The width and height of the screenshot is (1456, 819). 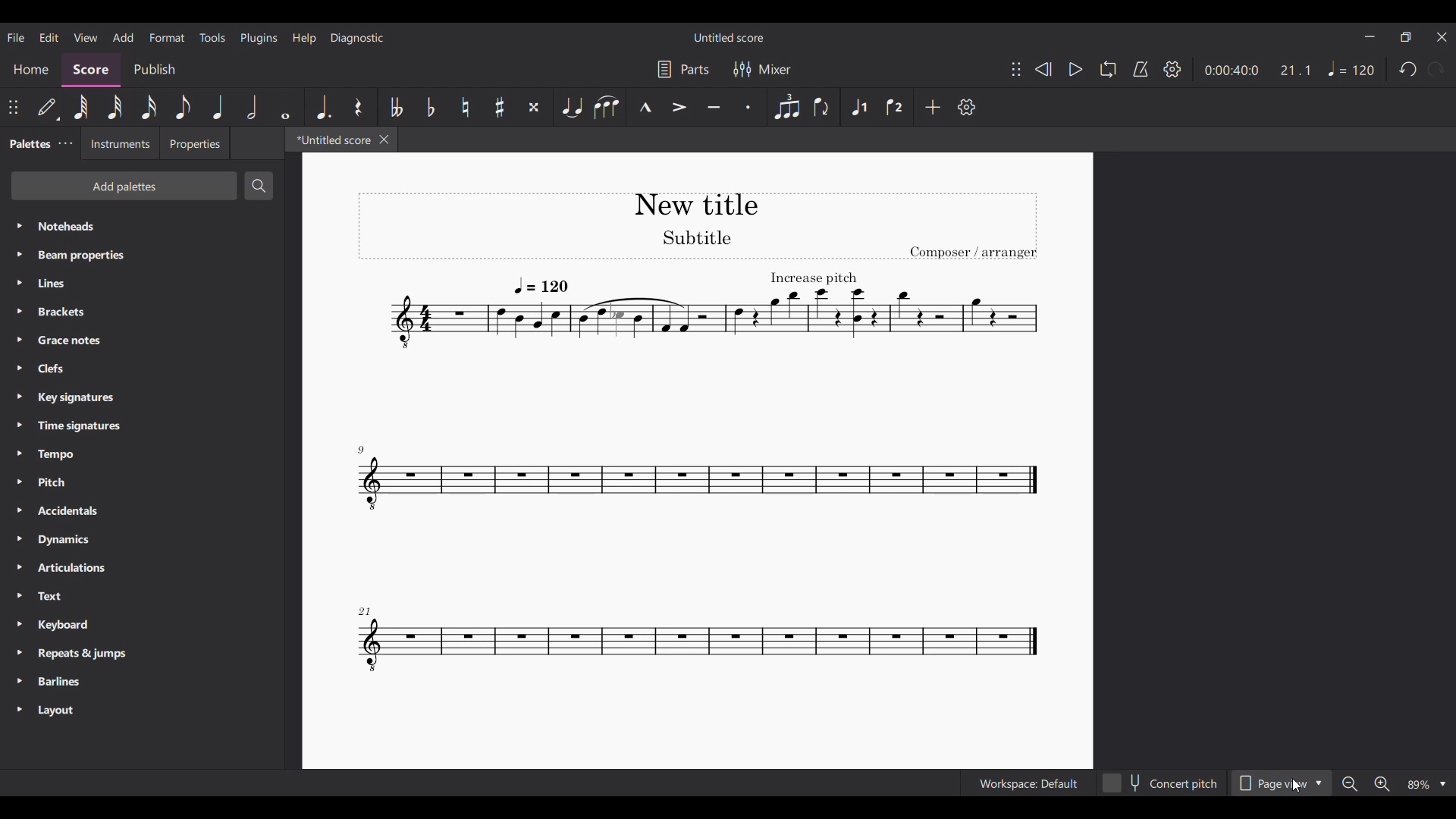 What do you see at coordinates (728, 37) in the screenshot?
I see `Untitled score` at bounding box center [728, 37].